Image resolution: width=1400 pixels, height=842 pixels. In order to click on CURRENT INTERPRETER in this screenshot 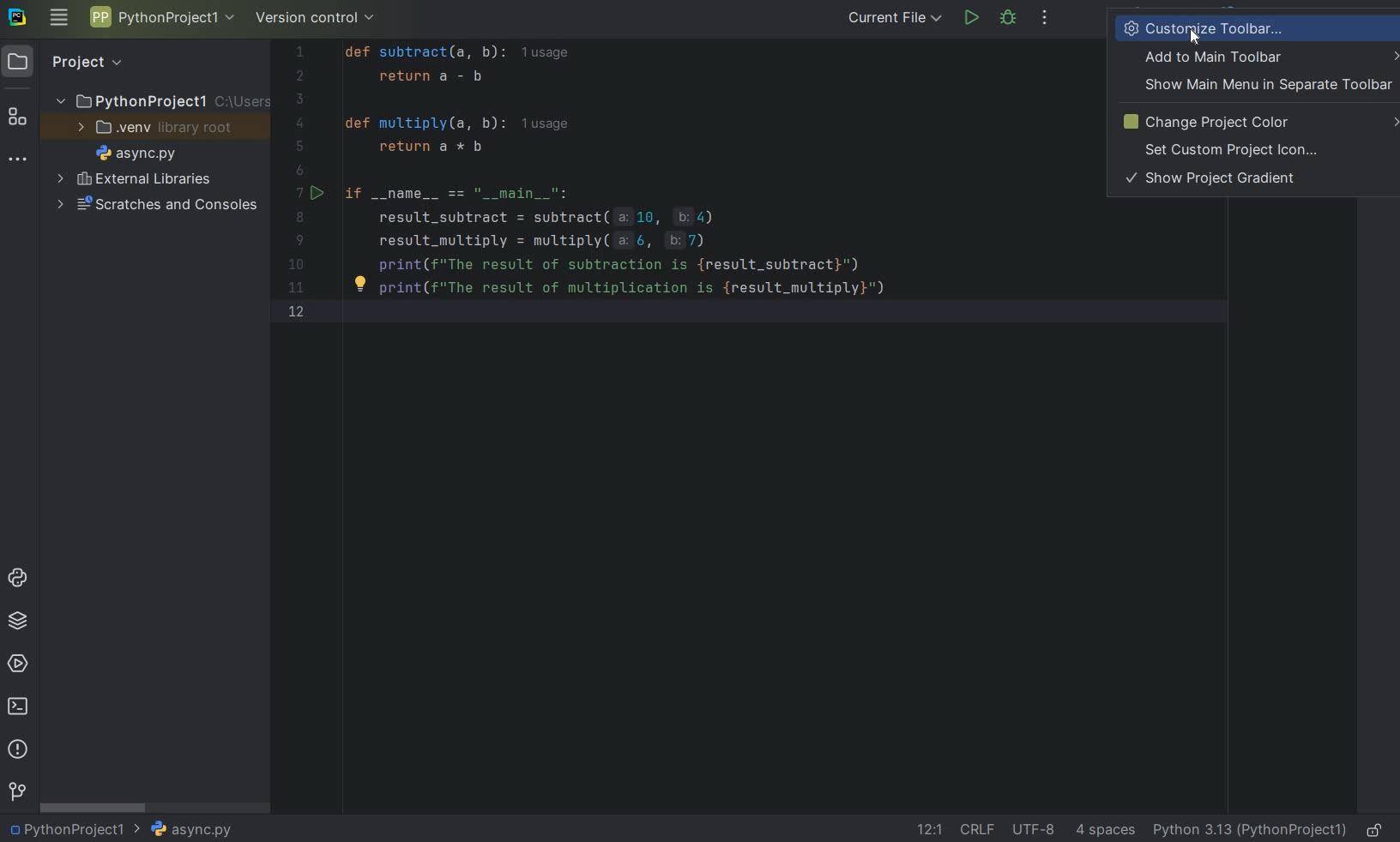, I will do `click(1249, 829)`.